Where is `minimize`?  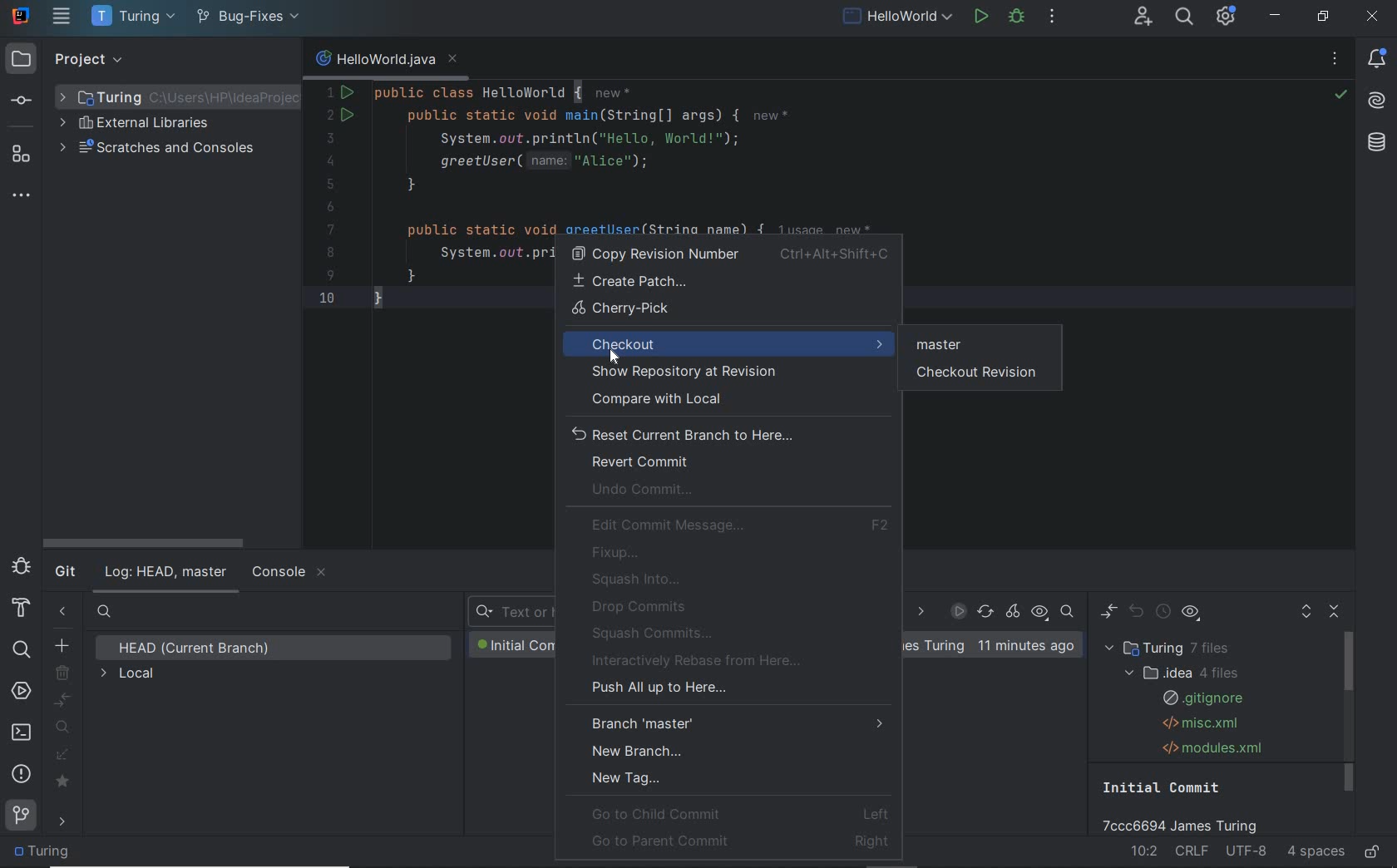 minimize is located at coordinates (1276, 16).